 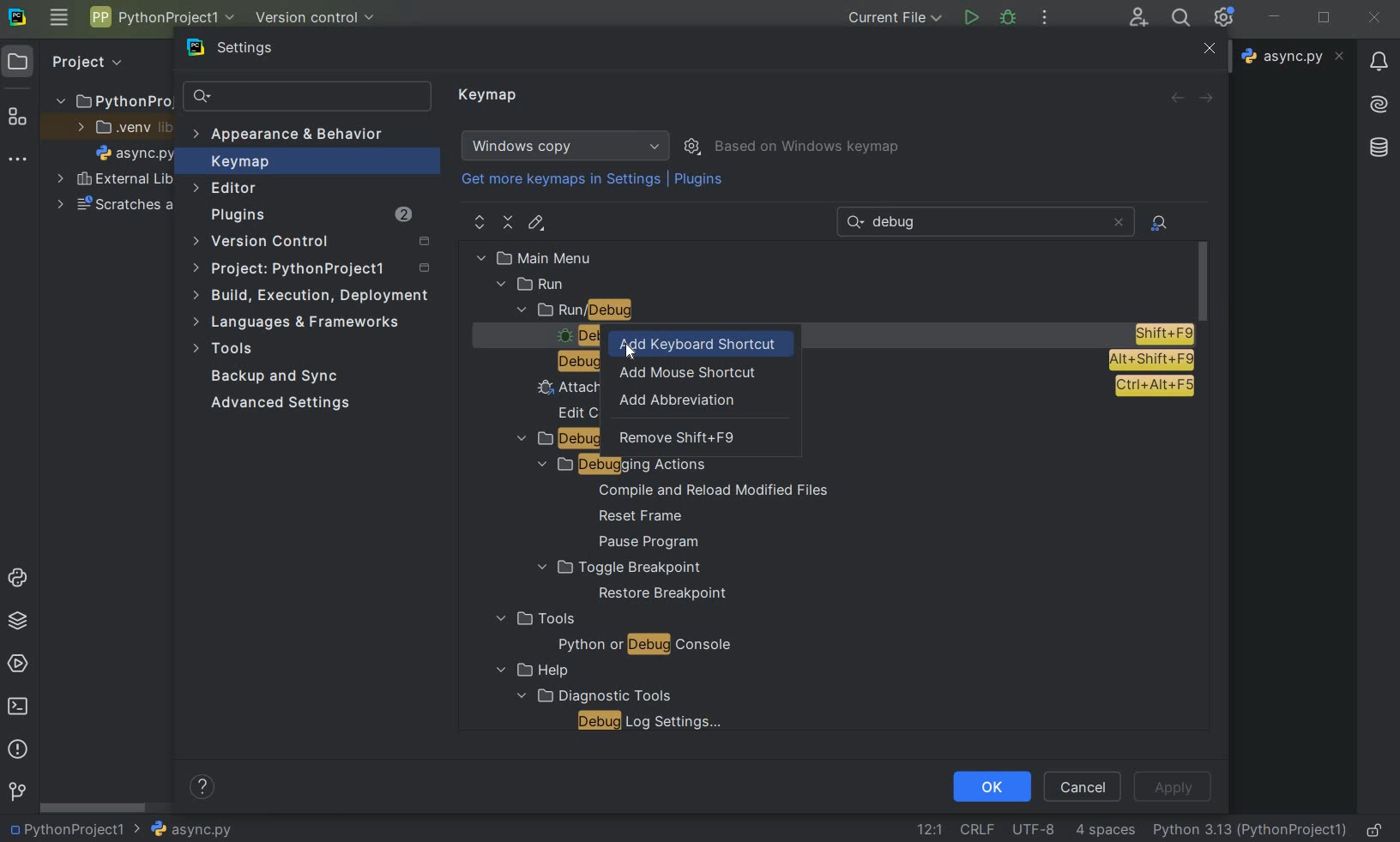 I want to click on compile and reload modified files, so click(x=714, y=490).